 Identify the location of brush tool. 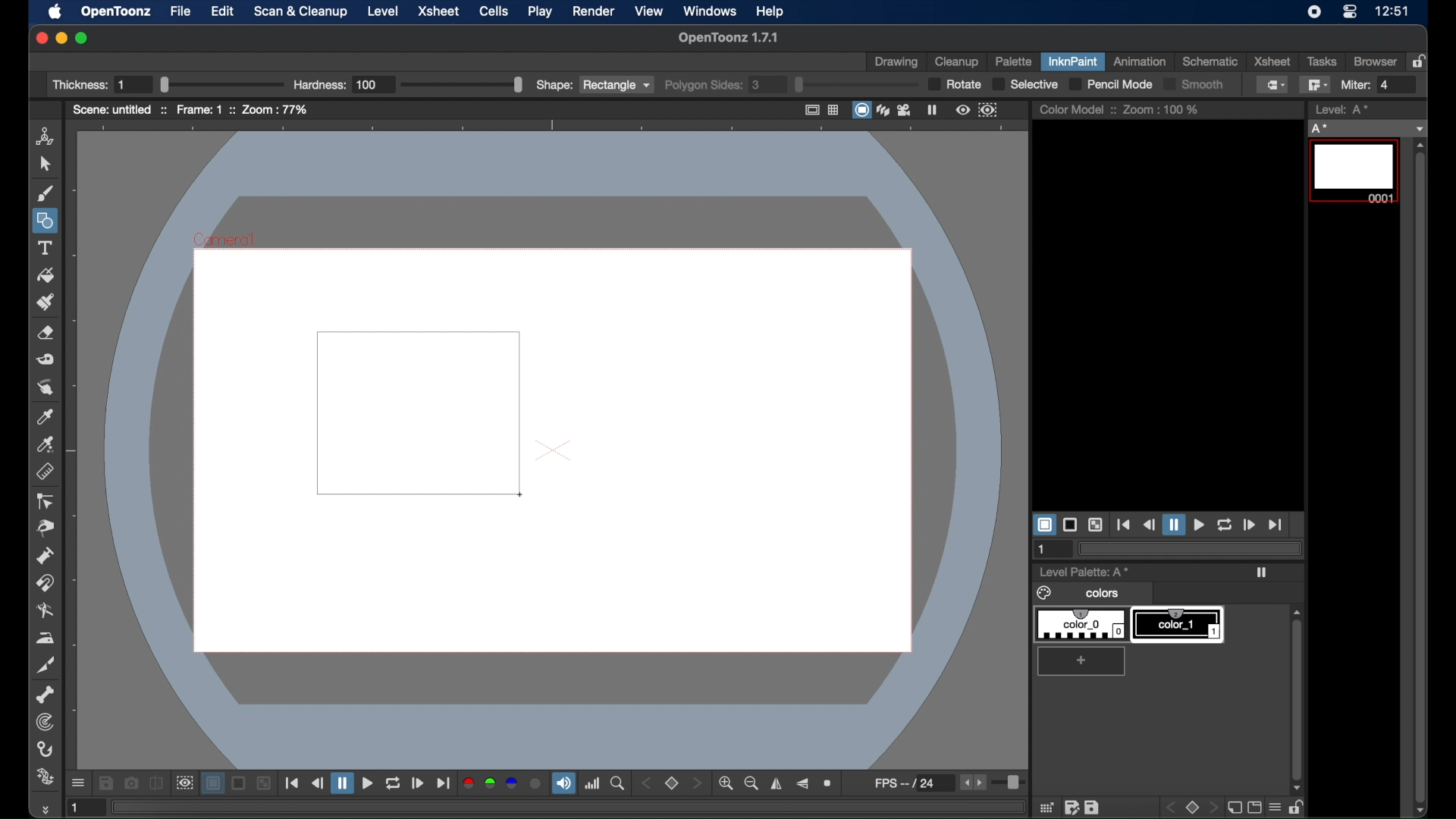
(45, 194).